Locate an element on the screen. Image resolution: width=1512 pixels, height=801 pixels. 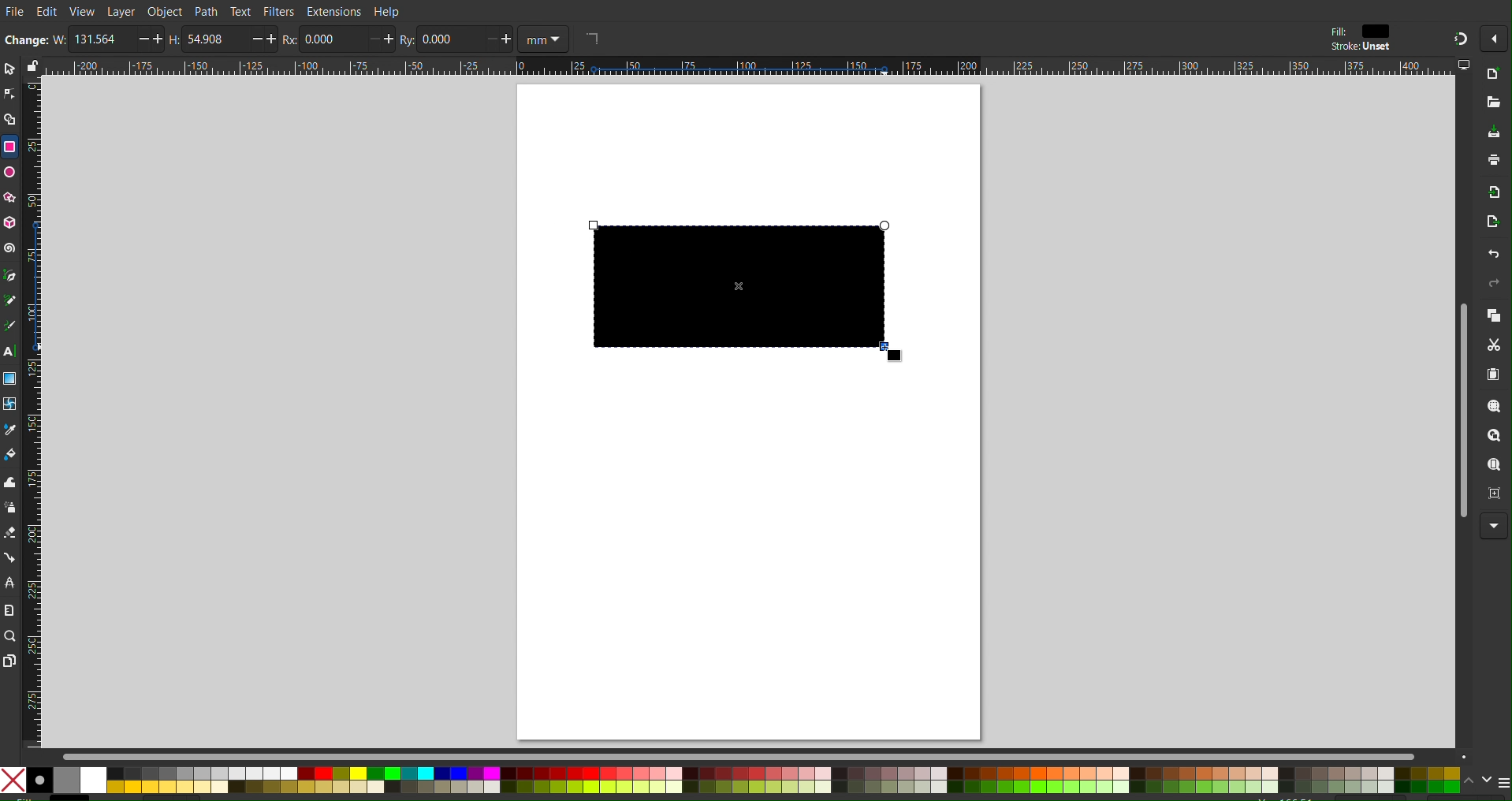
Connection is located at coordinates (9, 557).